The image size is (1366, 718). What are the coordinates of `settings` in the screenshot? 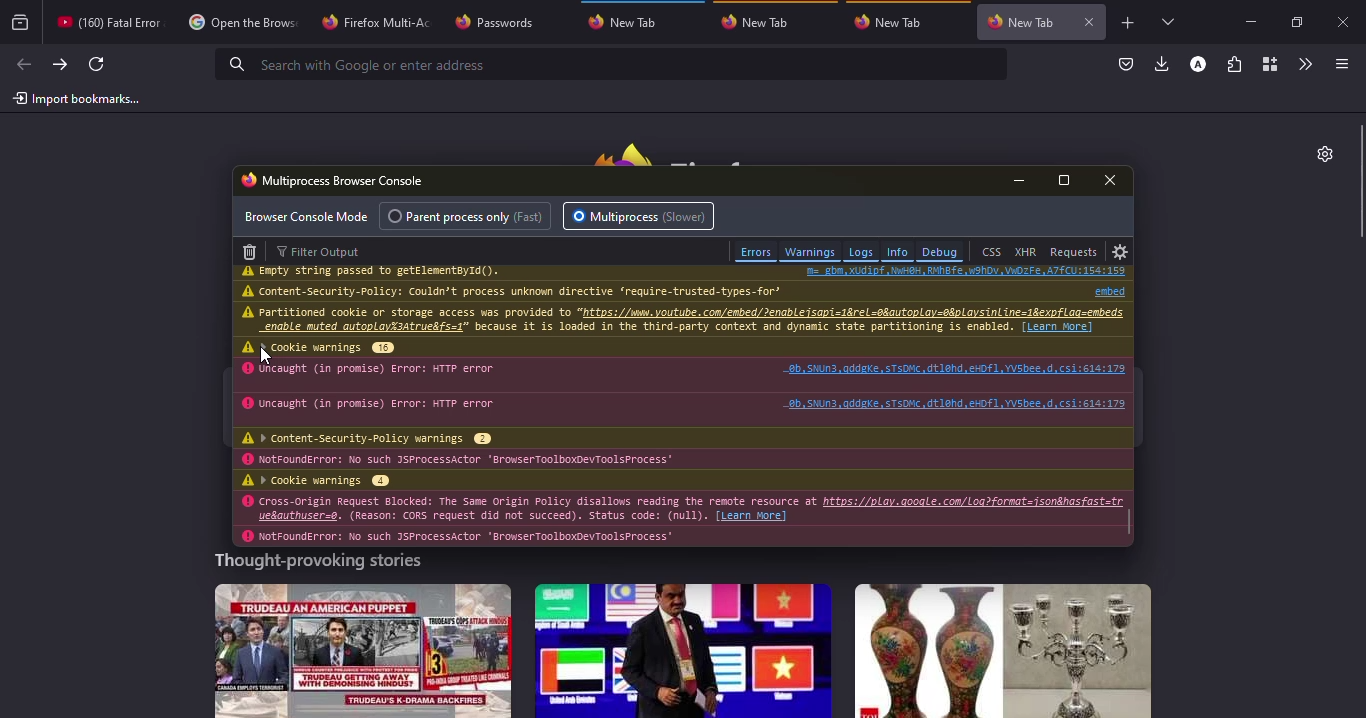 It's located at (1121, 252).